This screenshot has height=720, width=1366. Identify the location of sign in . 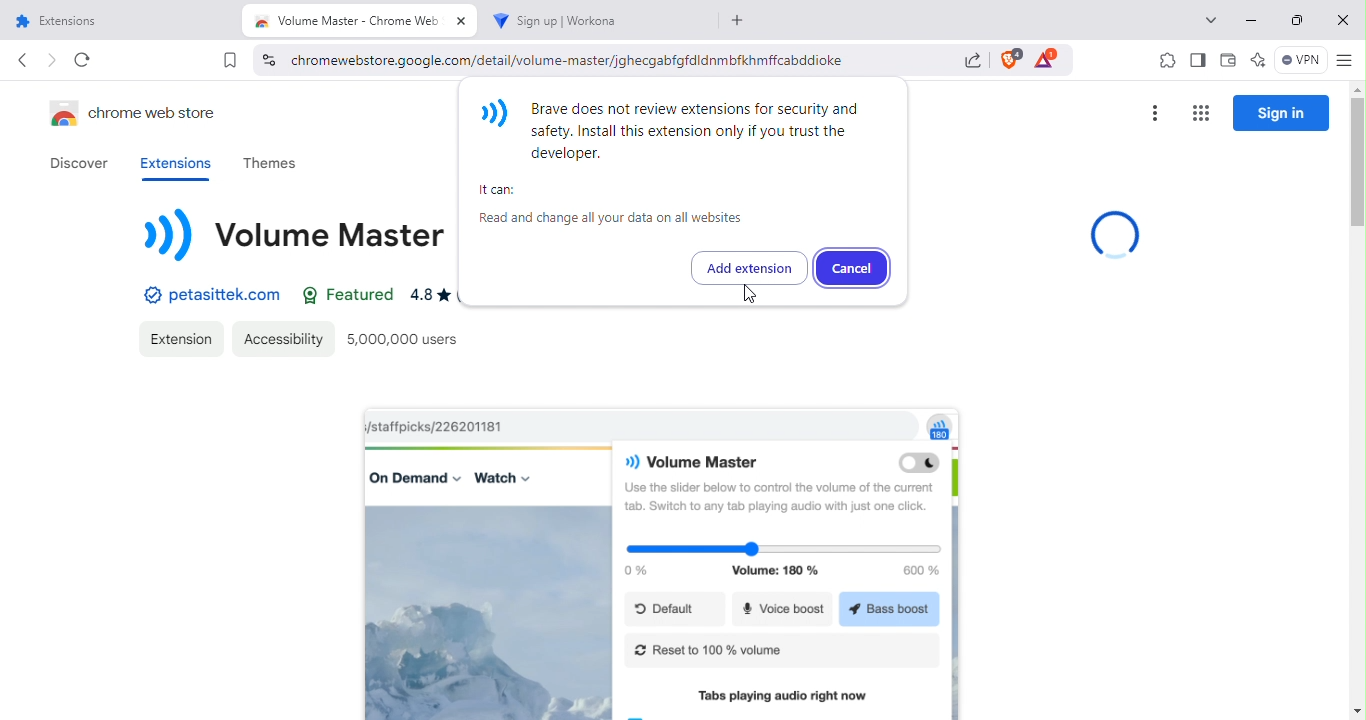
(1281, 113).